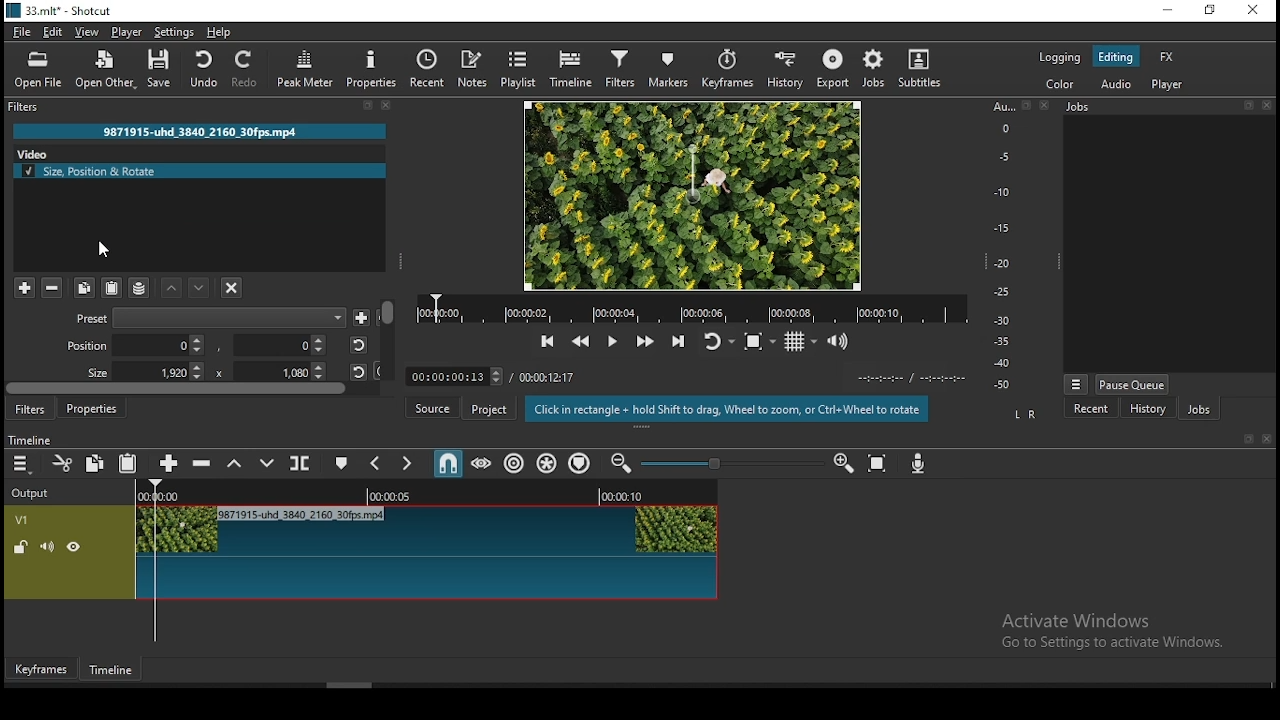 The image size is (1280, 720). Describe the element at coordinates (200, 464) in the screenshot. I see `ripple delete` at that location.